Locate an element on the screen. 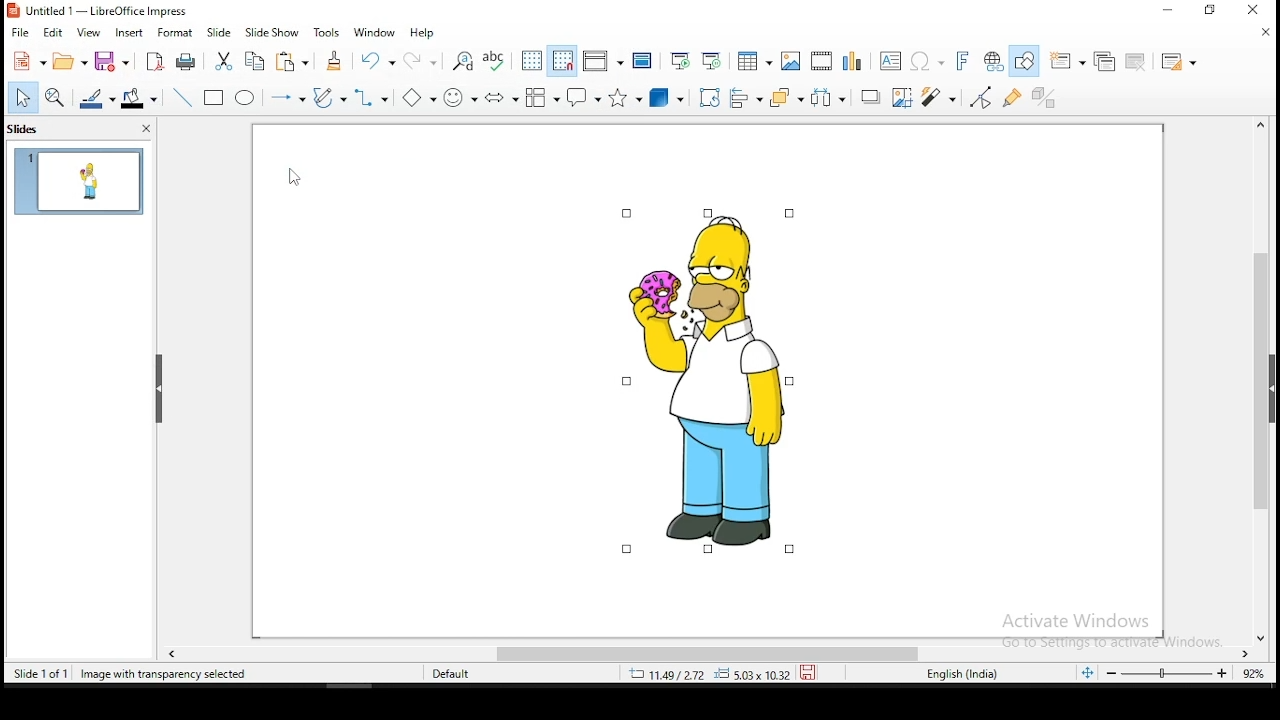 The width and height of the screenshot is (1280, 720). rectangle is located at coordinates (215, 98).